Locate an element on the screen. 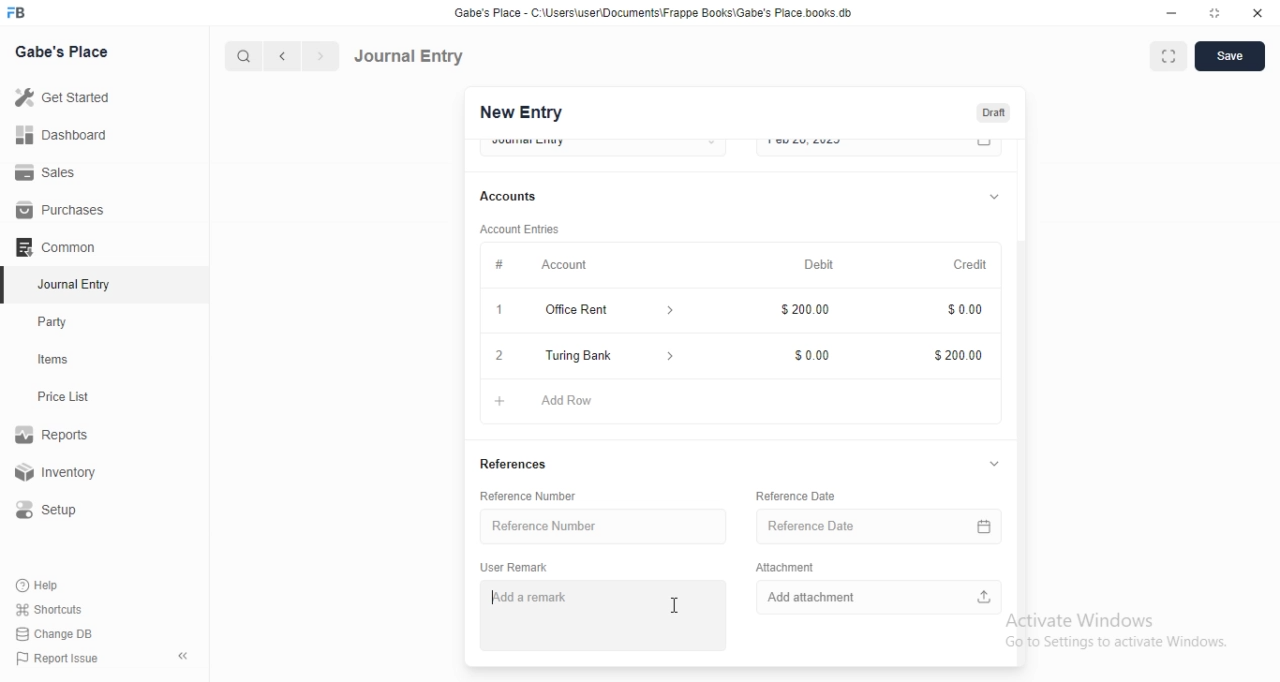 The height and width of the screenshot is (682, 1280). 2 is located at coordinates (496, 356).